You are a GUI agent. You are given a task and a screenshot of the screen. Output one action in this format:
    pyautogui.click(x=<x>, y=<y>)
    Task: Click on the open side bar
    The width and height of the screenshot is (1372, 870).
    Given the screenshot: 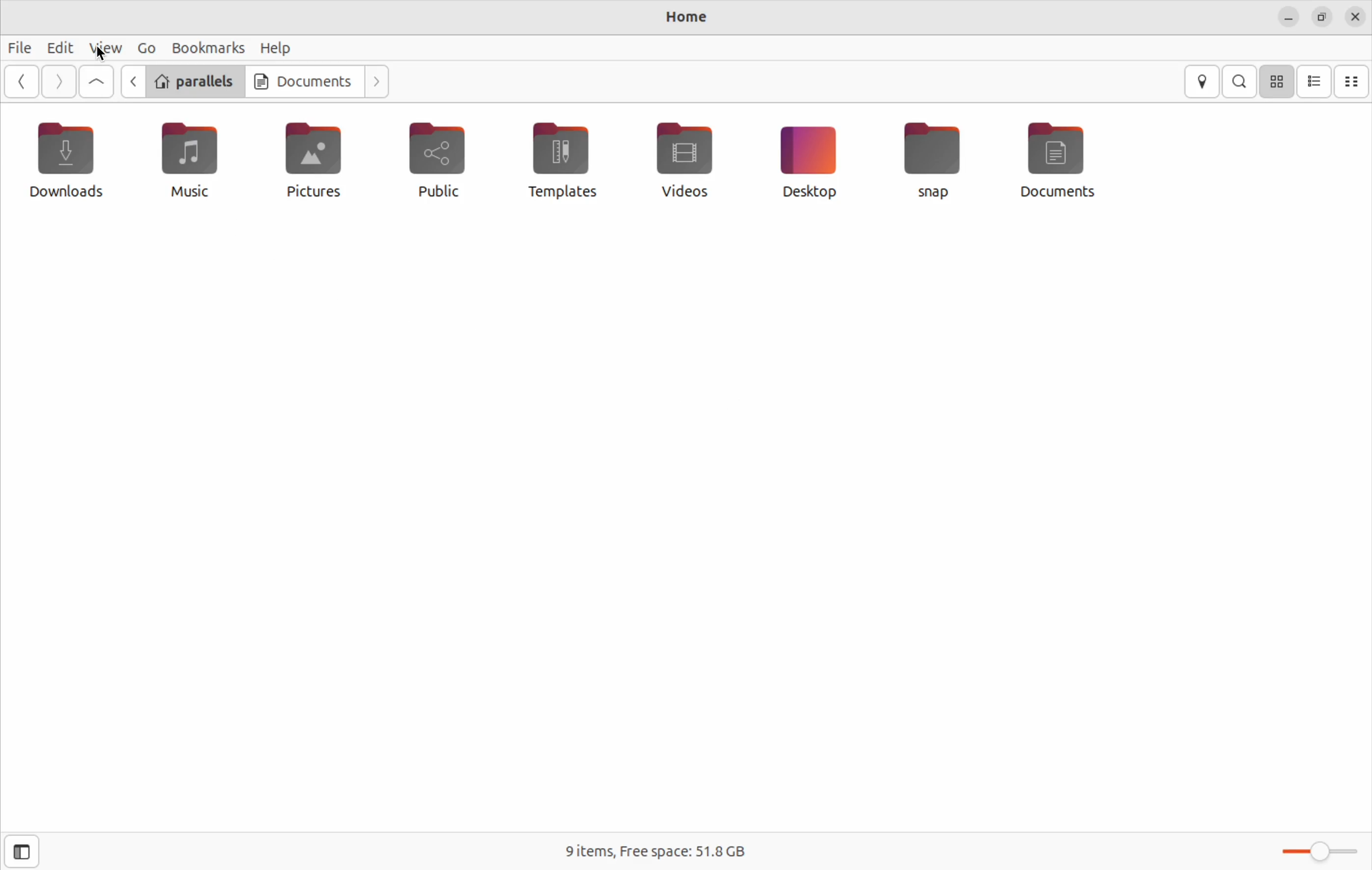 What is the action you would take?
    pyautogui.click(x=19, y=852)
    